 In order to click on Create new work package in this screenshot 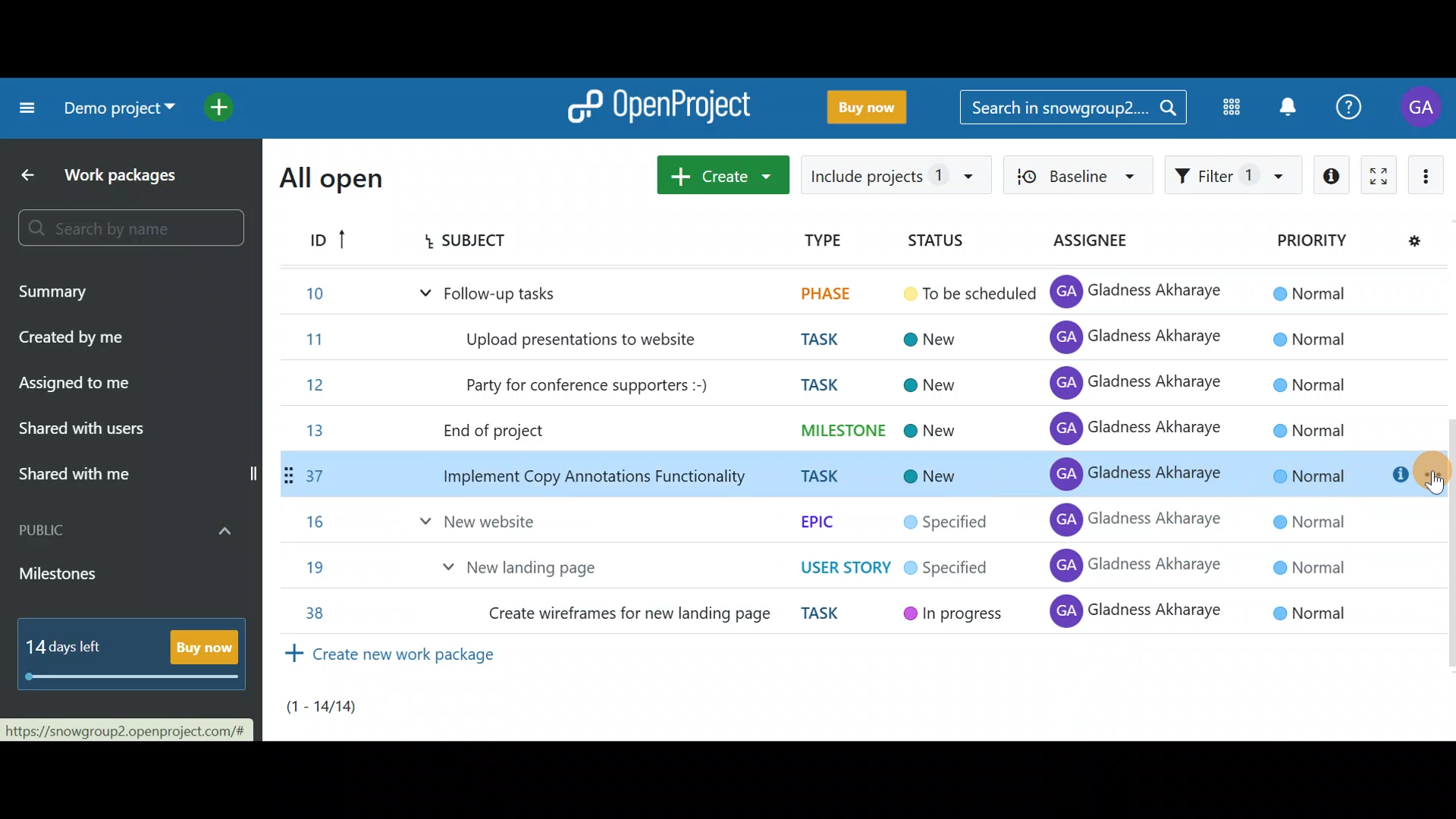, I will do `click(382, 657)`.